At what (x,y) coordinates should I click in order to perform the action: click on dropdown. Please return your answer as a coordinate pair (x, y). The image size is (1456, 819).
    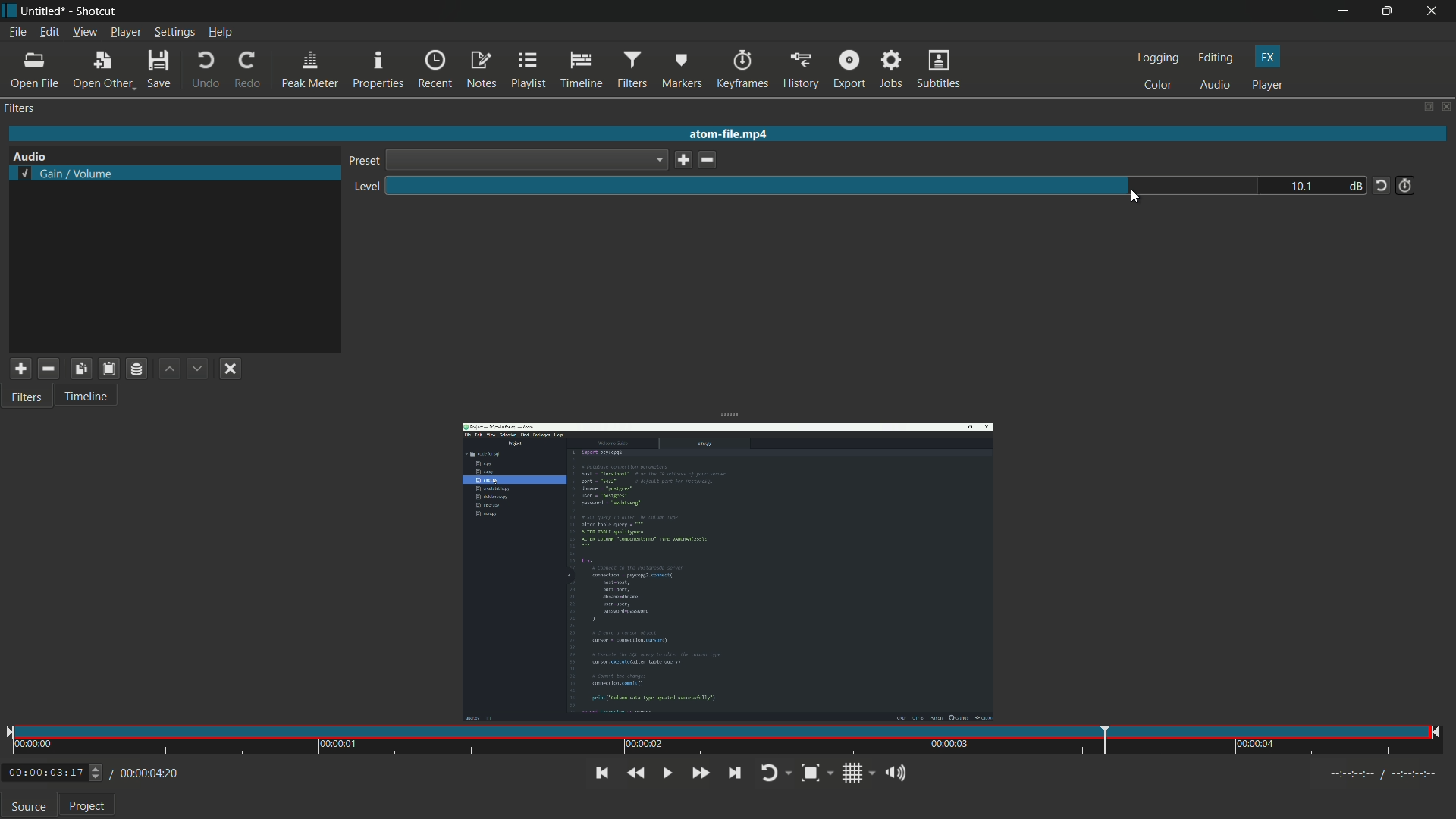
    Looking at the image, I should click on (526, 160).